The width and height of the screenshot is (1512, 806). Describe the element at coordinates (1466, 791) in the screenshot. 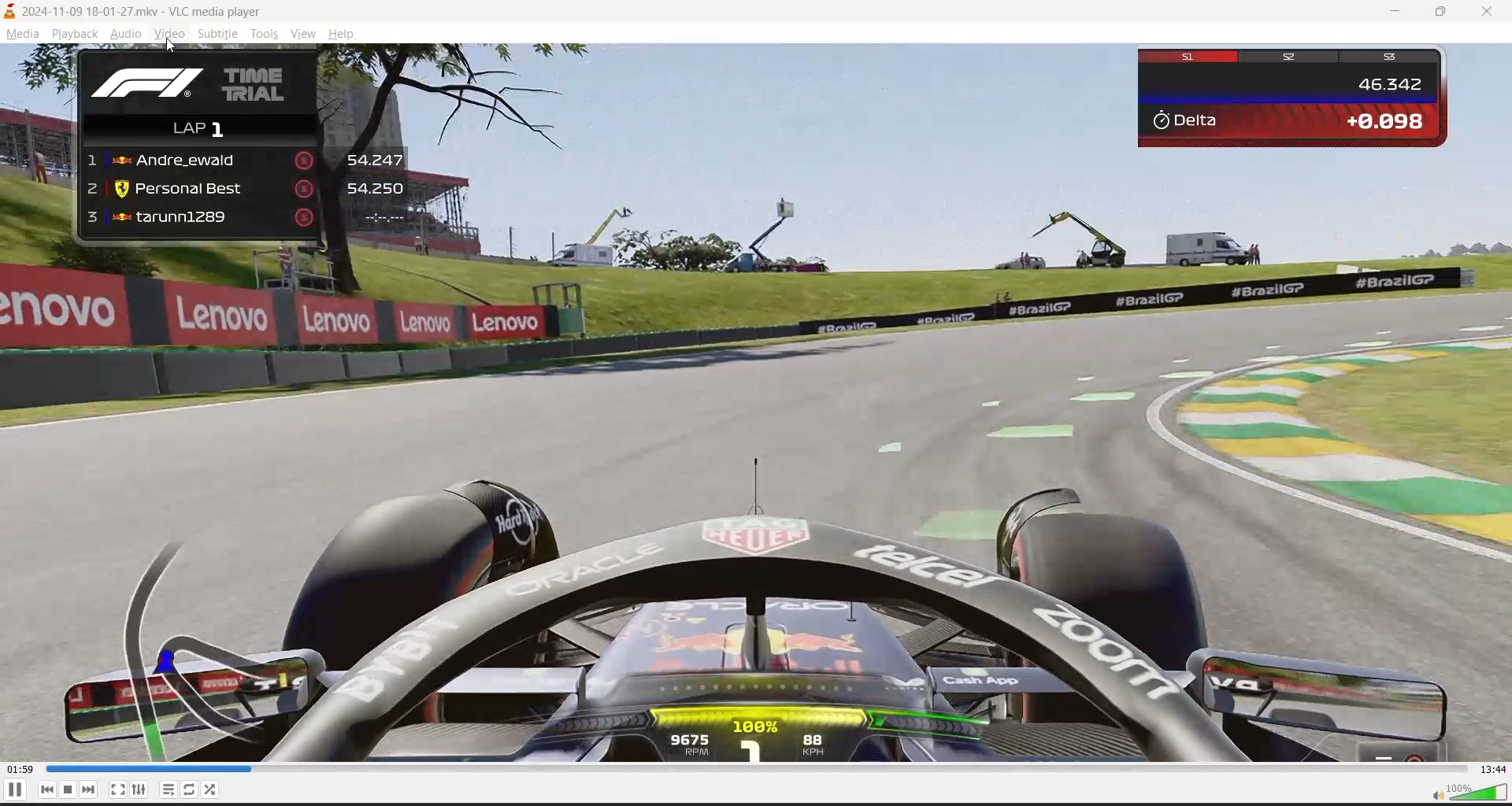

I see `volume` at that location.